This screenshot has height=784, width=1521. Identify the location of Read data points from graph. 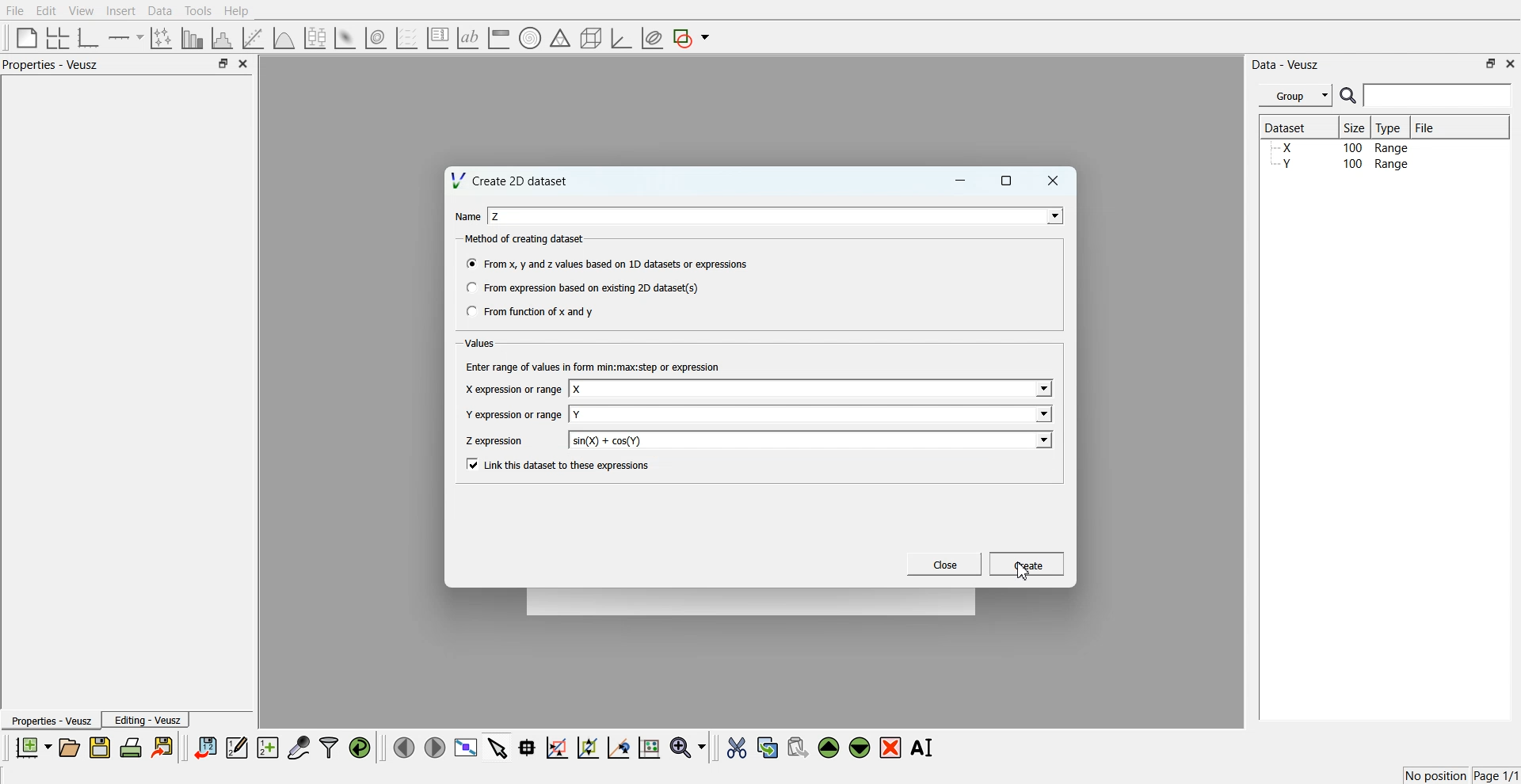
(528, 747).